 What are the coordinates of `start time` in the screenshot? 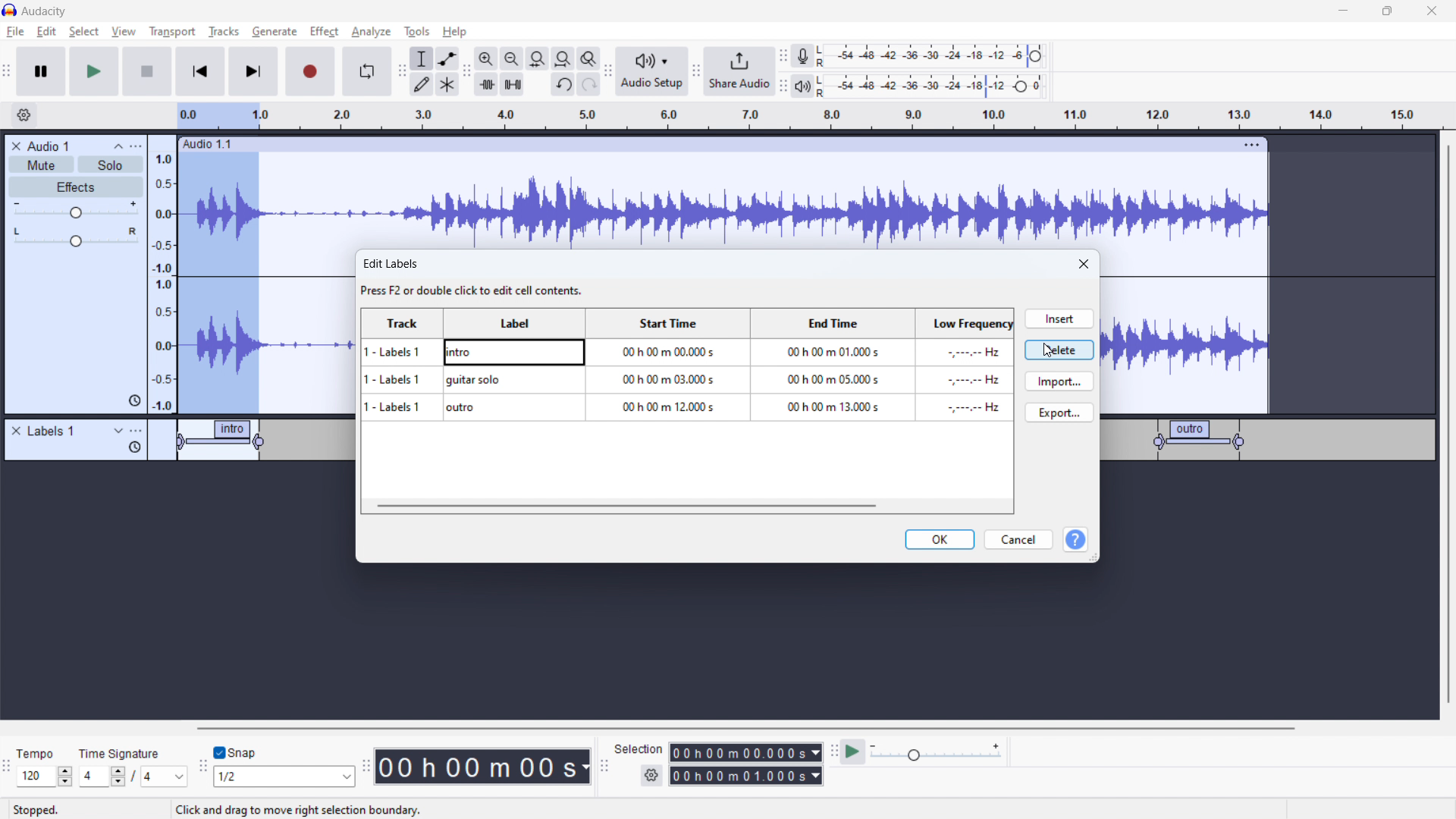 It's located at (666, 365).